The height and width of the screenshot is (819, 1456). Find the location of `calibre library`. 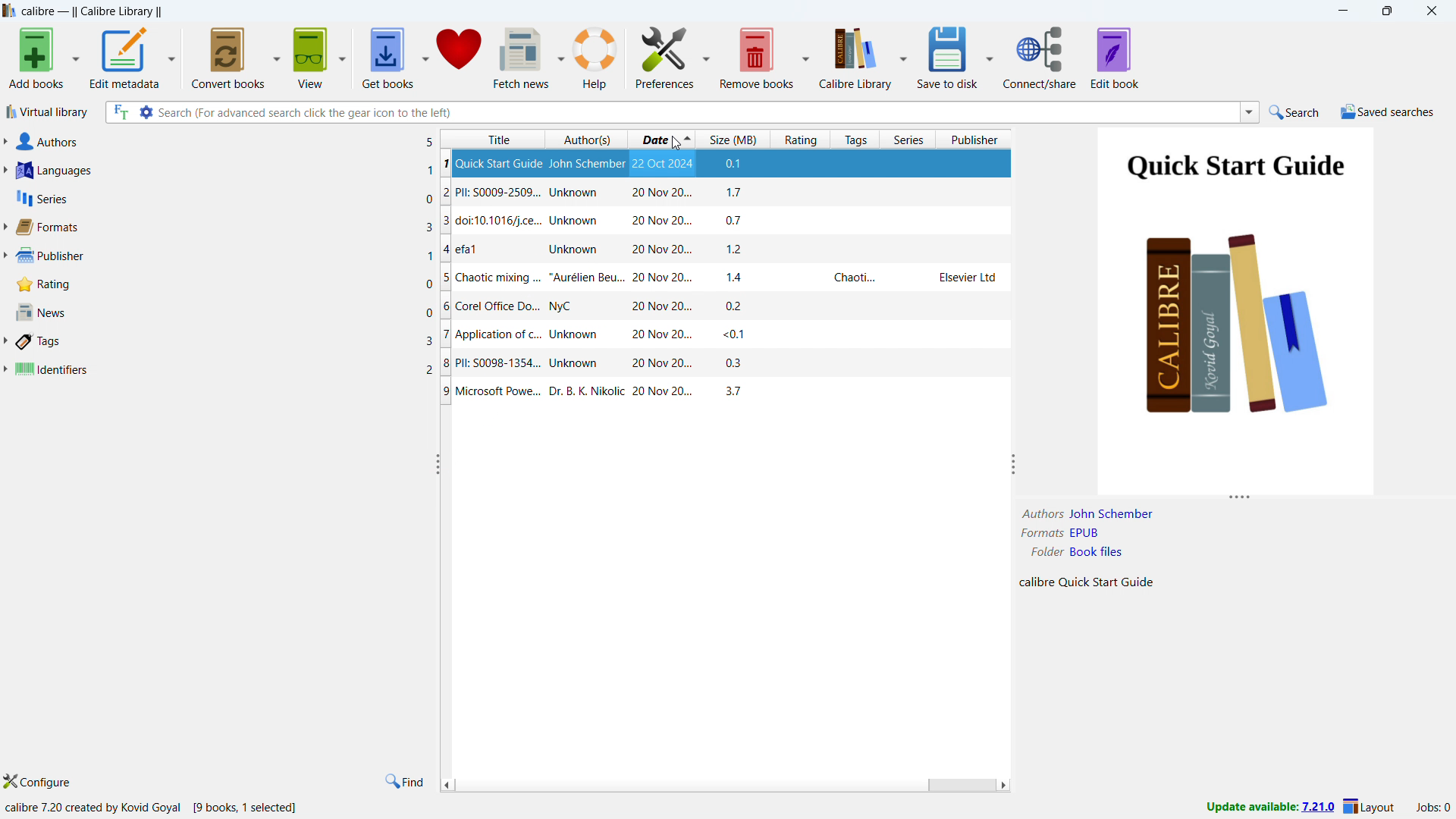

calibre library is located at coordinates (855, 55).